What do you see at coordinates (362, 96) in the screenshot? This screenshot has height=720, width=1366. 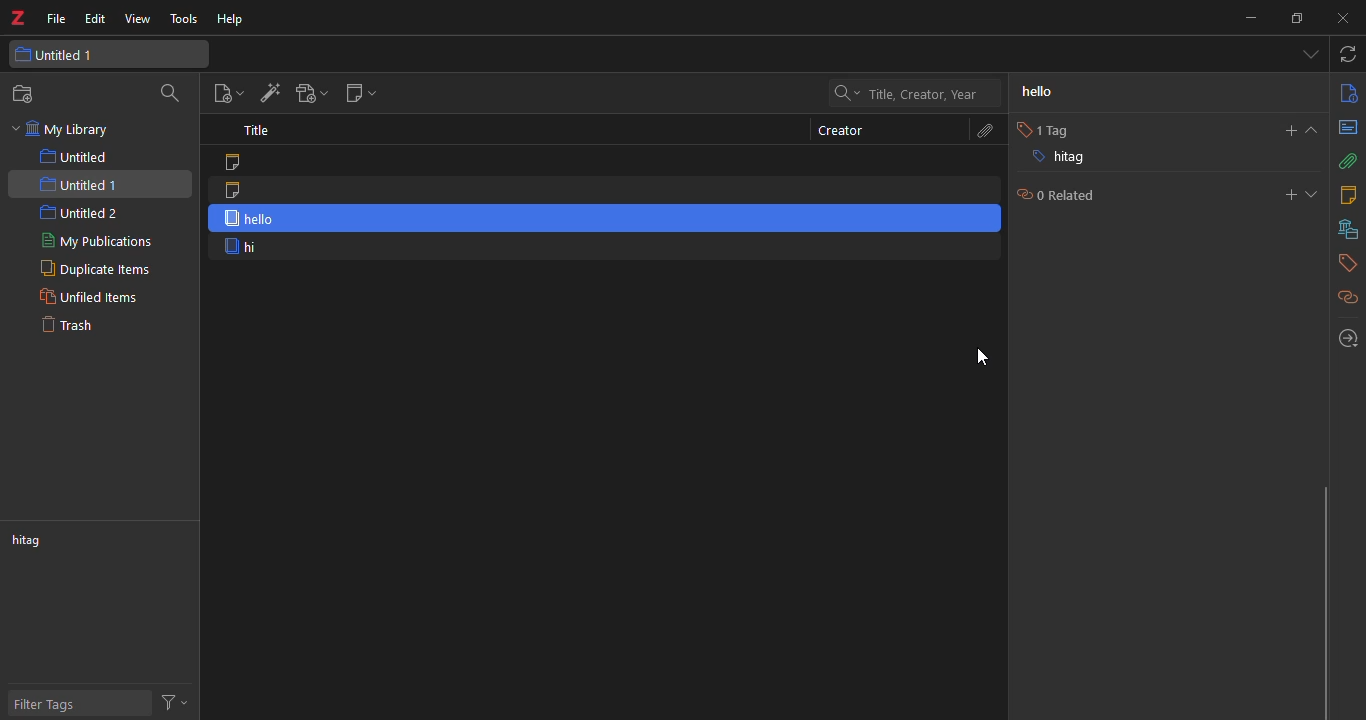 I see `new note` at bounding box center [362, 96].